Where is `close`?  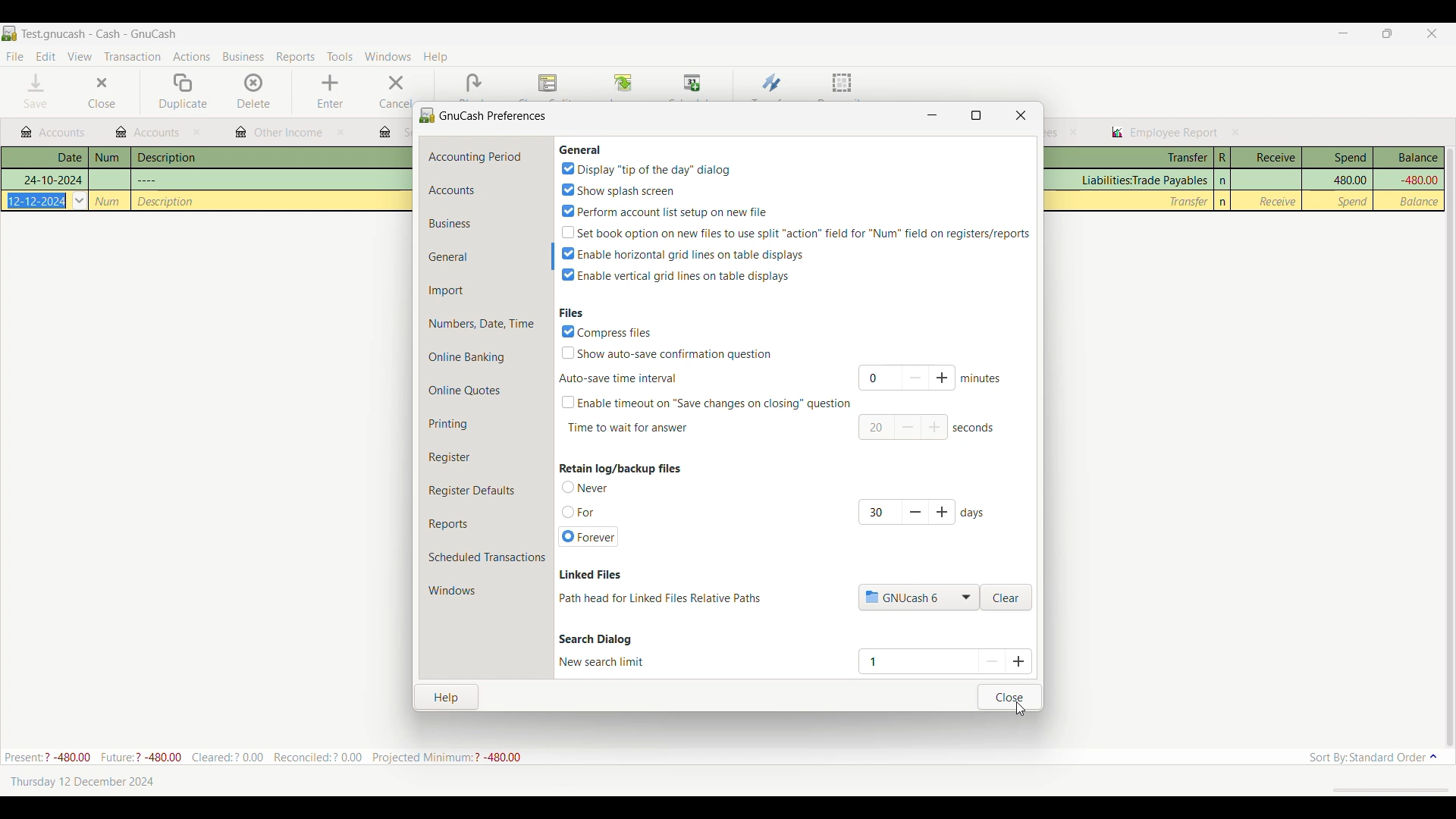 close is located at coordinates (340, 132).